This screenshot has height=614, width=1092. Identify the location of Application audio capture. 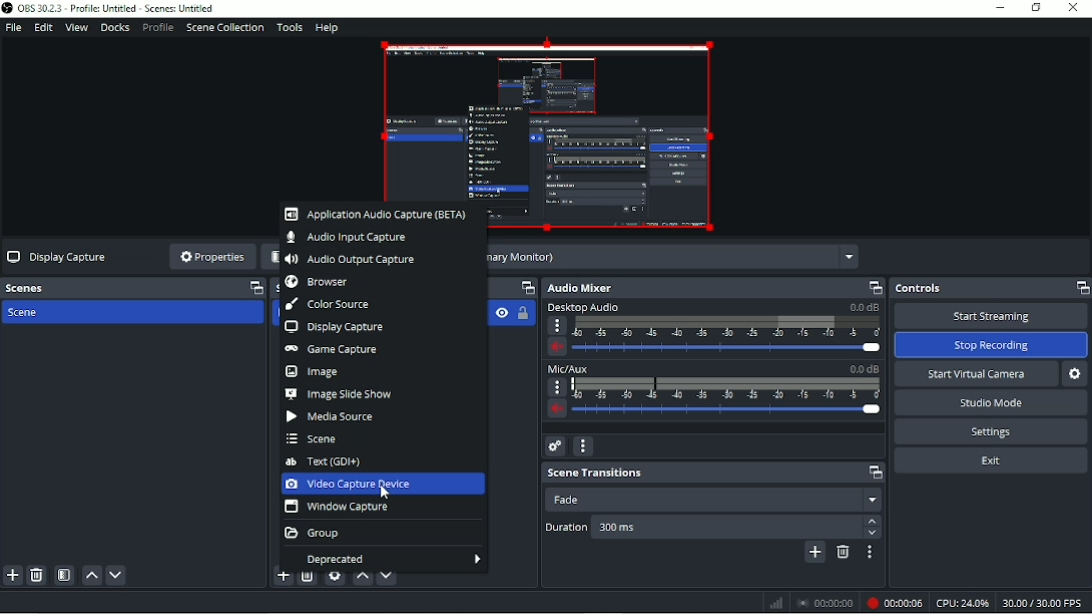
(376, 214).